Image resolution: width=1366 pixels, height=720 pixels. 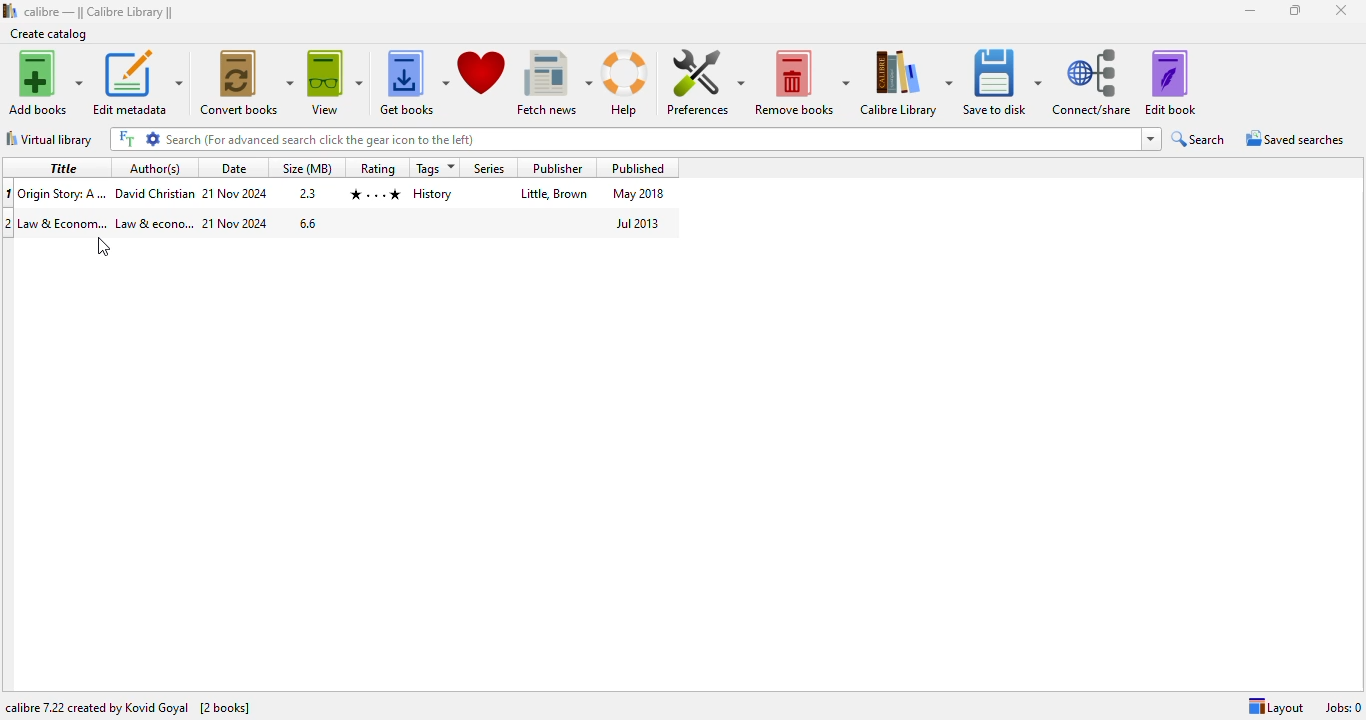 I want to click on date, so click(x=236, y=194).